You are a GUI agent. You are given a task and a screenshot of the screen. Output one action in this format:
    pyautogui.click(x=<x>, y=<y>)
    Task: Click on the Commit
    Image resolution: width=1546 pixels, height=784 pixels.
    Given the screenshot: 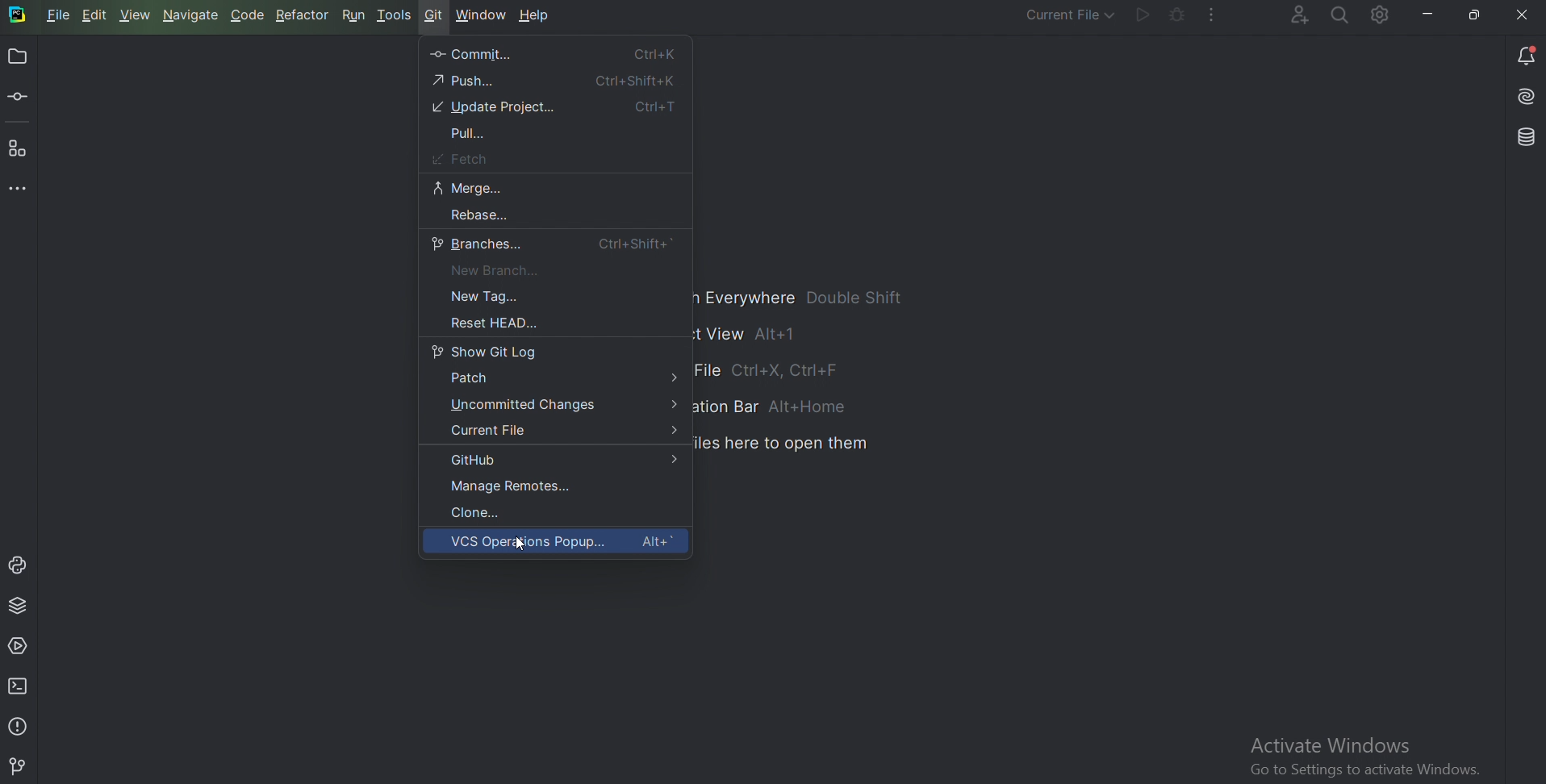 What is the action you would take?
    pyautogui.click(x=555, y=54)
    